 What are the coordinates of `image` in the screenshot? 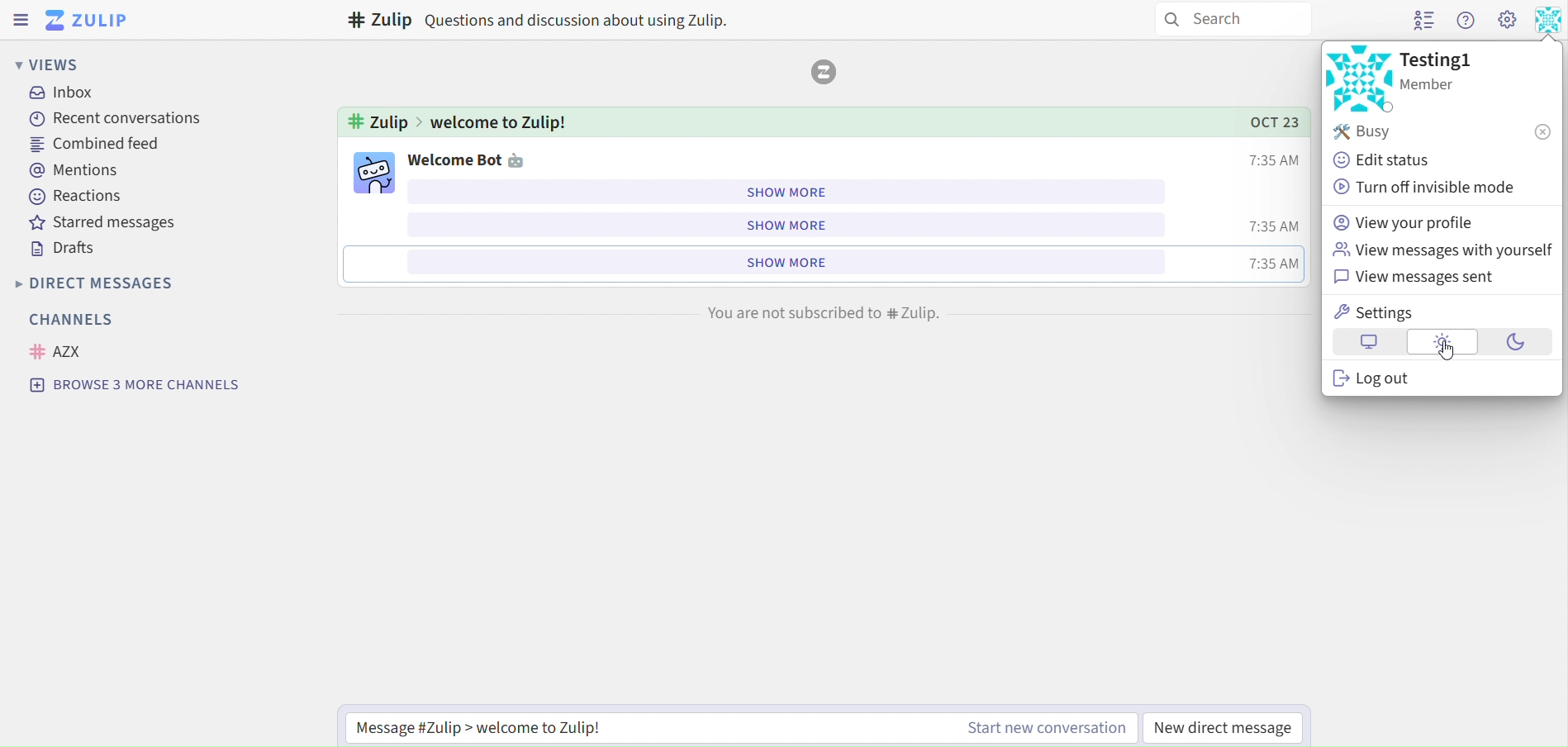 It's located at (1361, 78).